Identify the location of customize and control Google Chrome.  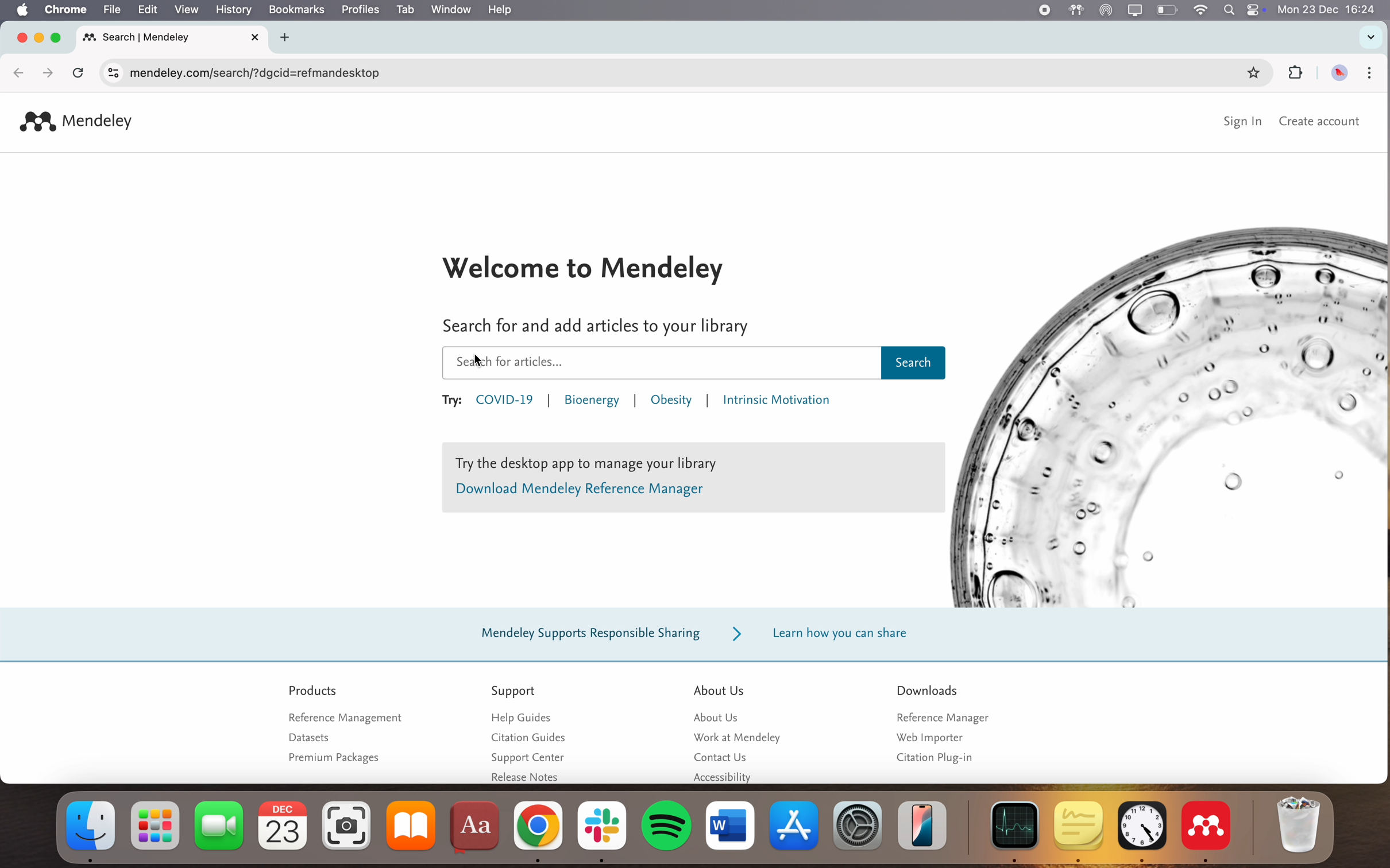
(1368, 74).